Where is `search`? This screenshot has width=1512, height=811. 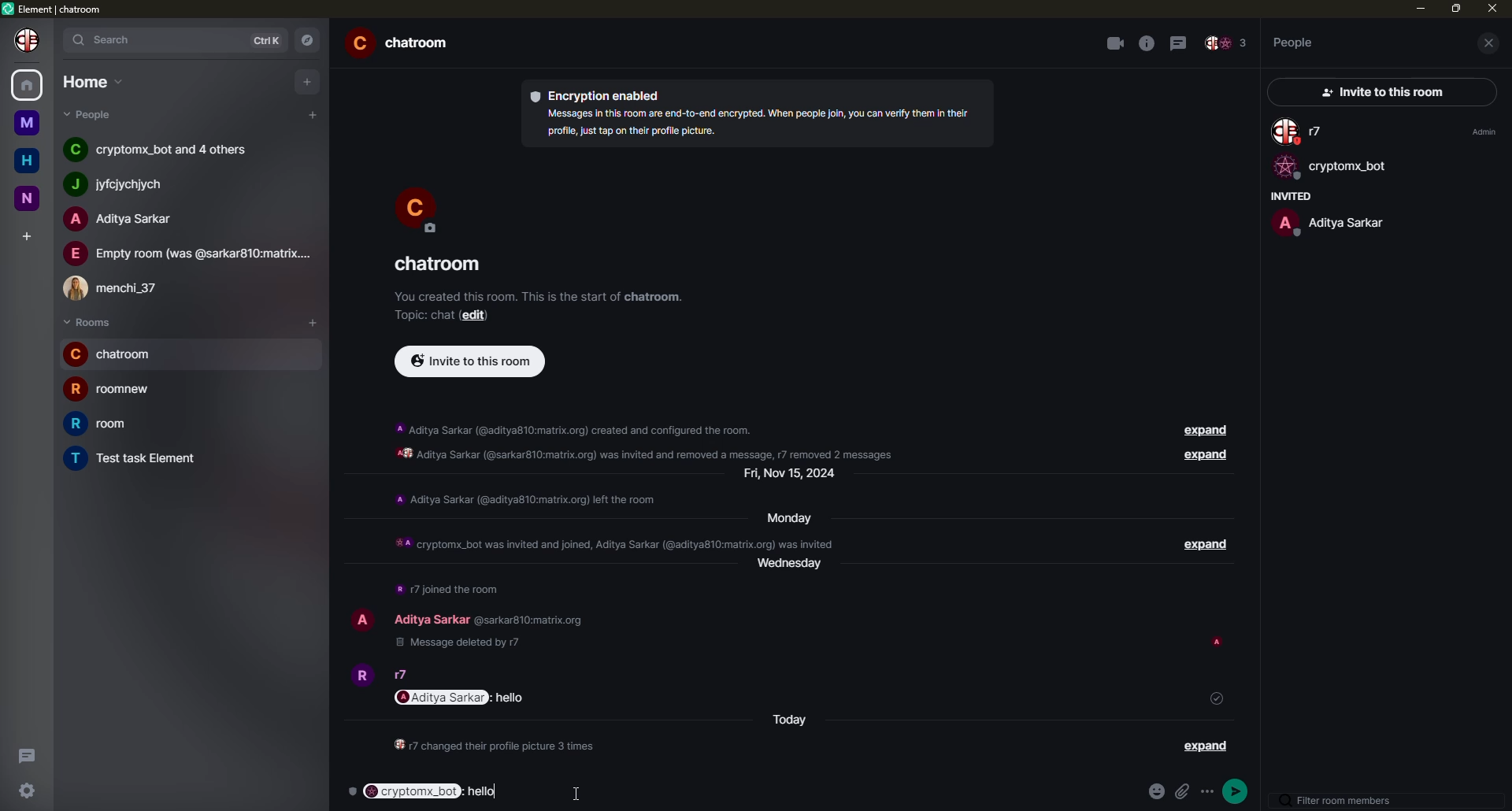 search is located at coordinates (109, 39).